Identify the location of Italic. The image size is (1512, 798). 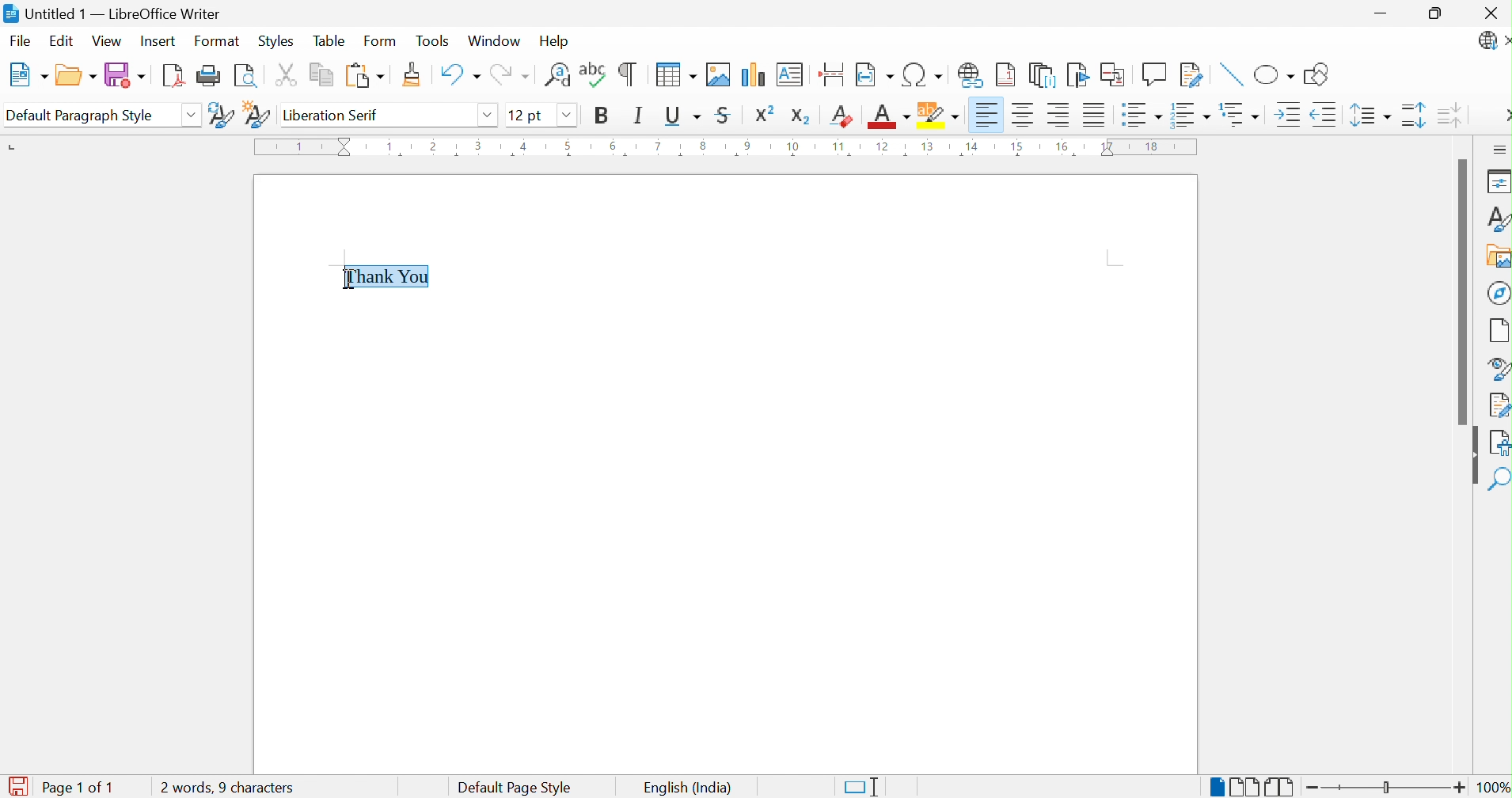
(642, 115).